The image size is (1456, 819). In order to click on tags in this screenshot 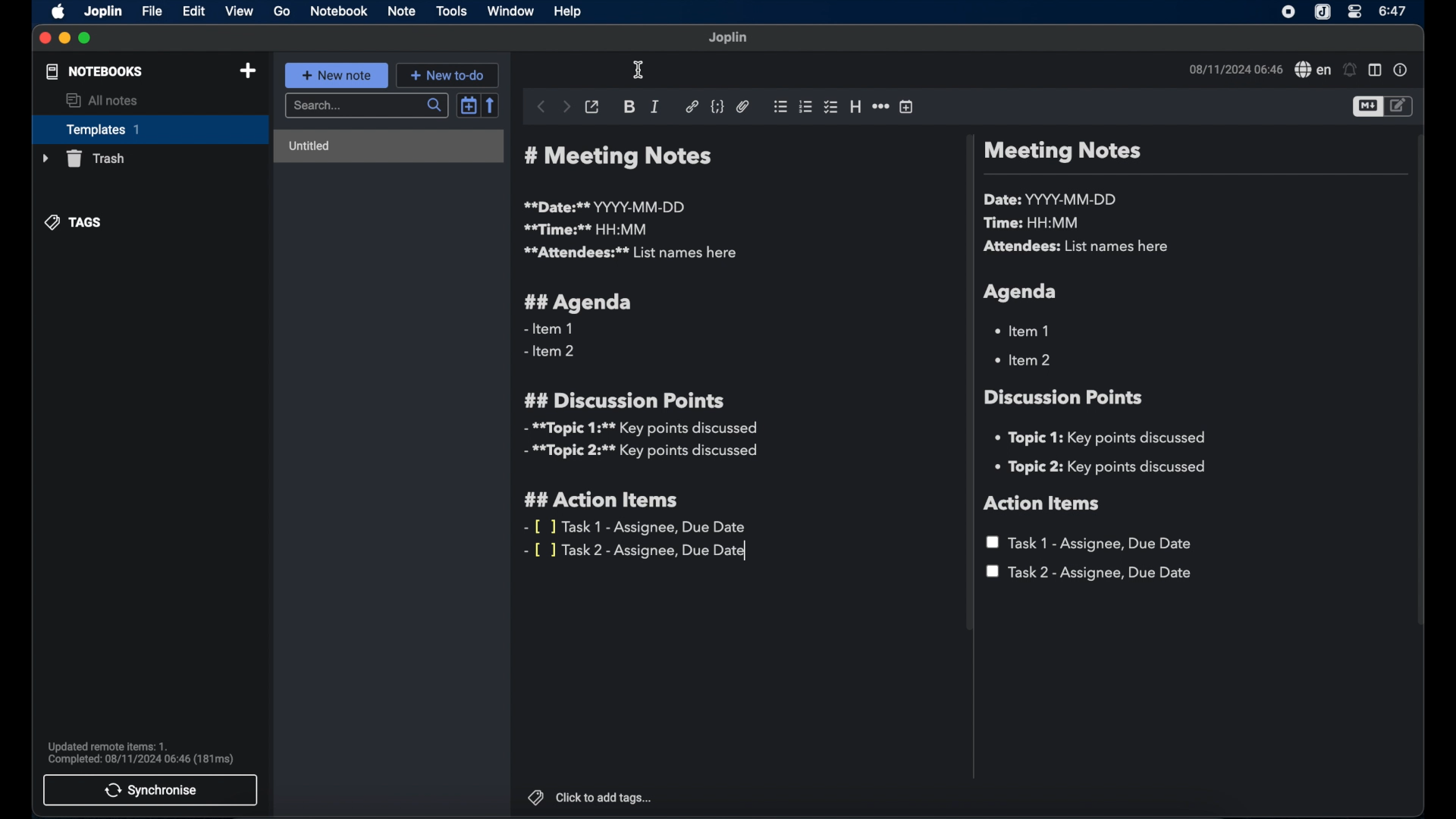, I will do `click(75, 222)`.